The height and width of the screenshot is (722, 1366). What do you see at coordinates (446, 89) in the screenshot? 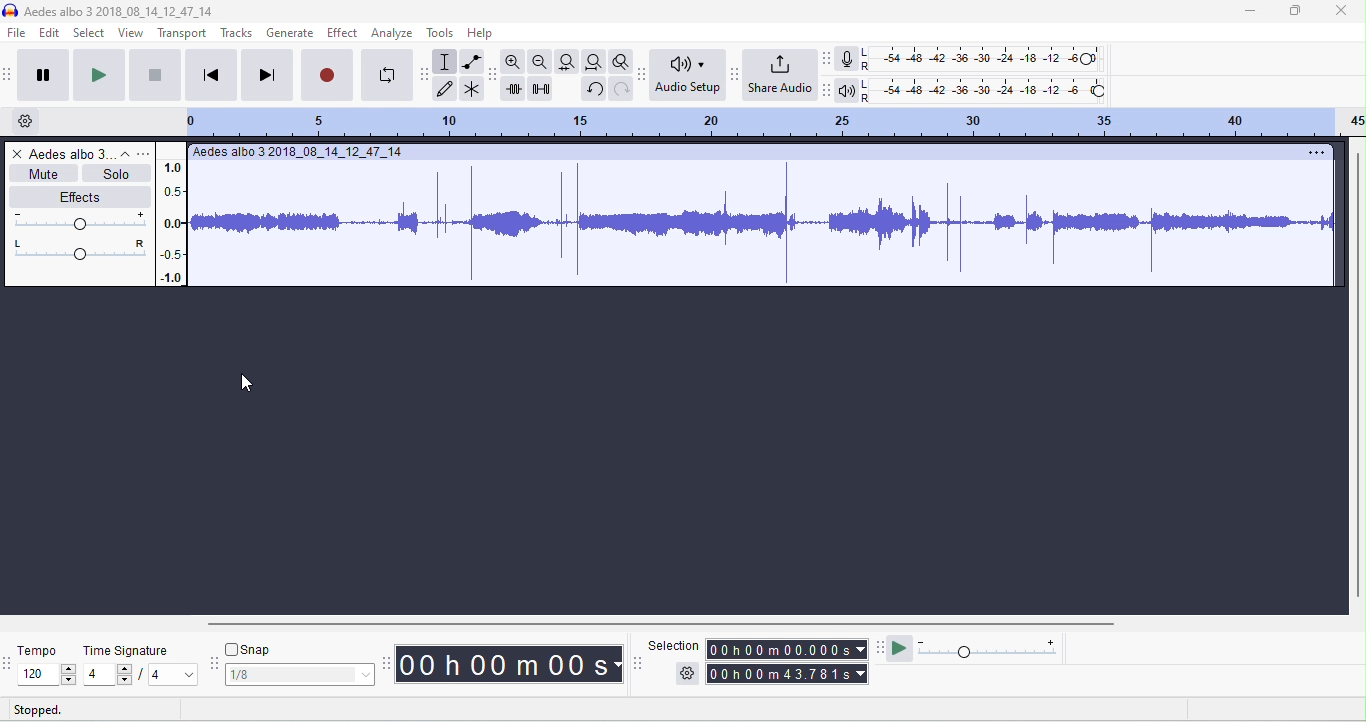
I see `draw tool` at bounding box center [446, 89].